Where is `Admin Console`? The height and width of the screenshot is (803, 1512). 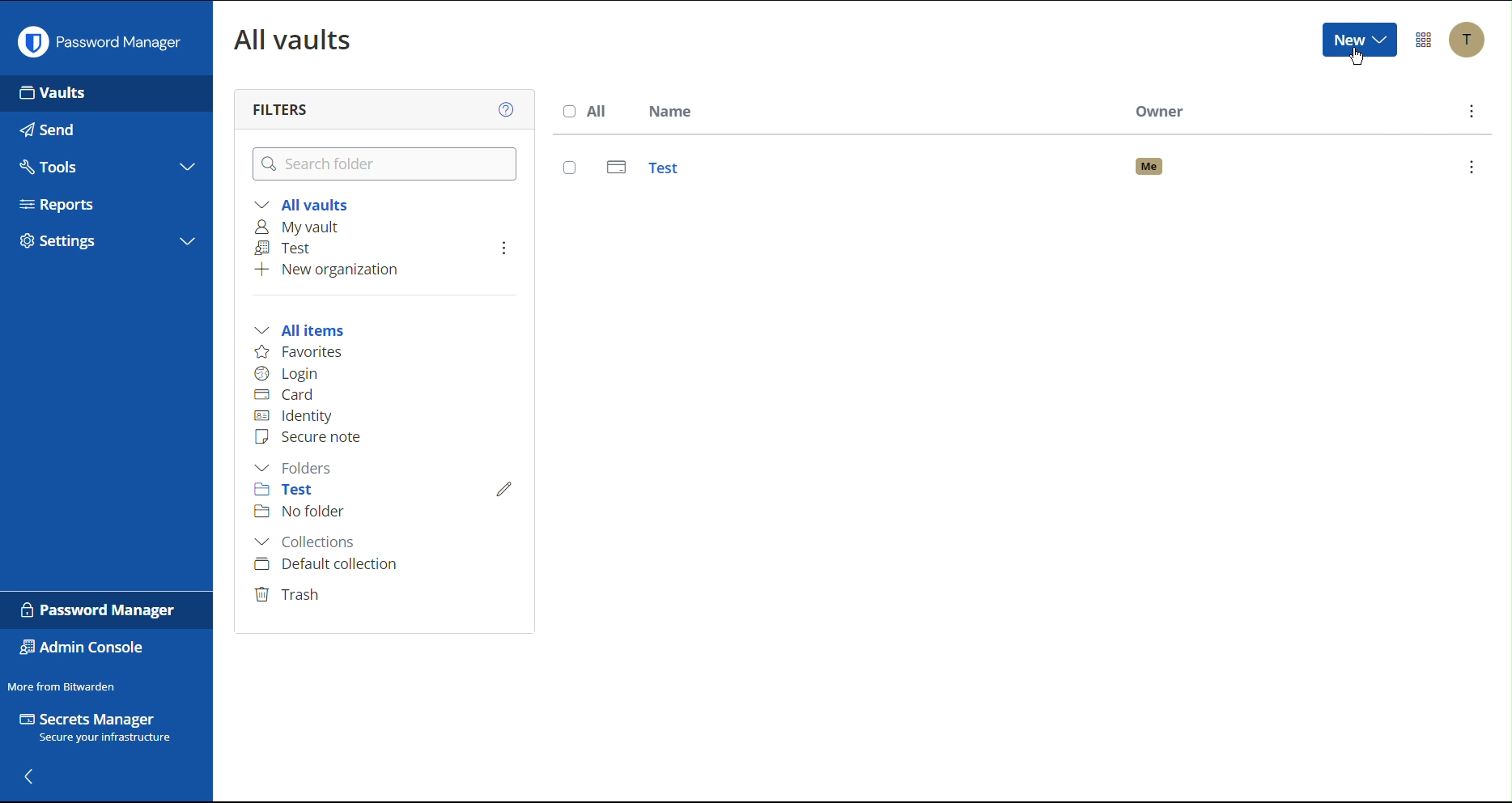 Admin Console is located at coordinates (86, 649).